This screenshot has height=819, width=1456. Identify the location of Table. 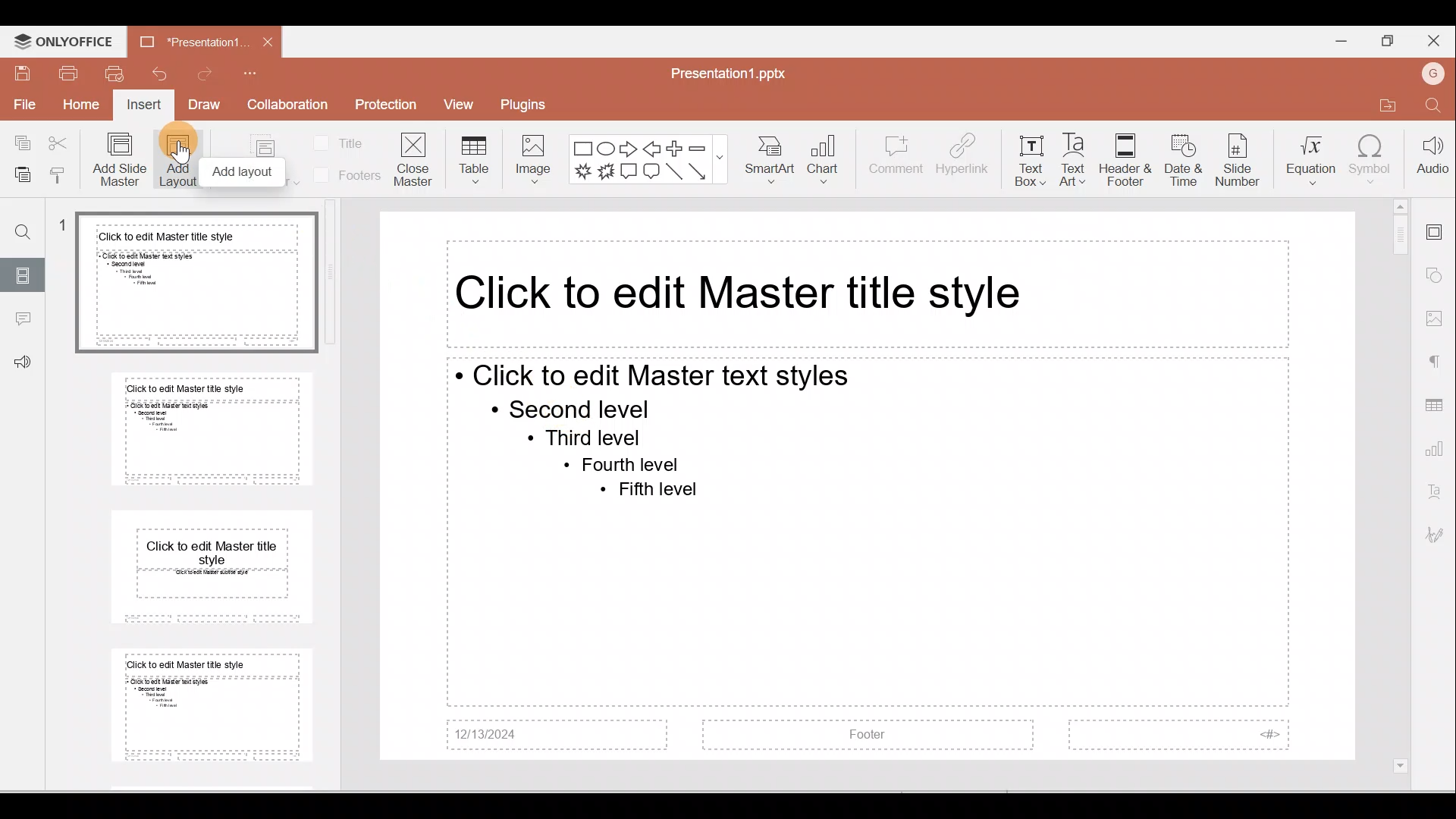
(470, 157).